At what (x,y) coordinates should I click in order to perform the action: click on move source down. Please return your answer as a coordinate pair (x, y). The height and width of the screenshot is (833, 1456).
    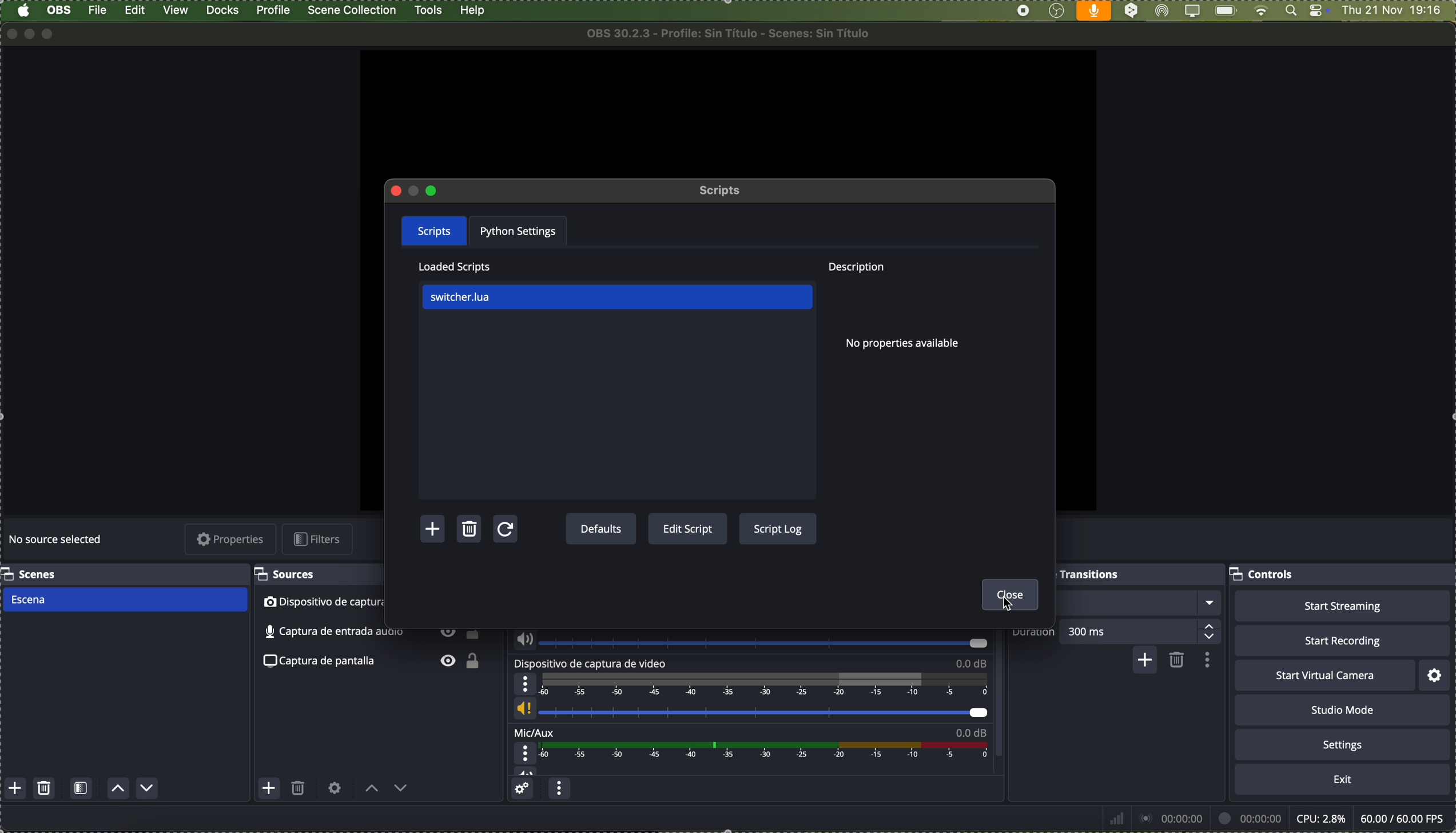
    Looking at the image, I should click on (399, 791).